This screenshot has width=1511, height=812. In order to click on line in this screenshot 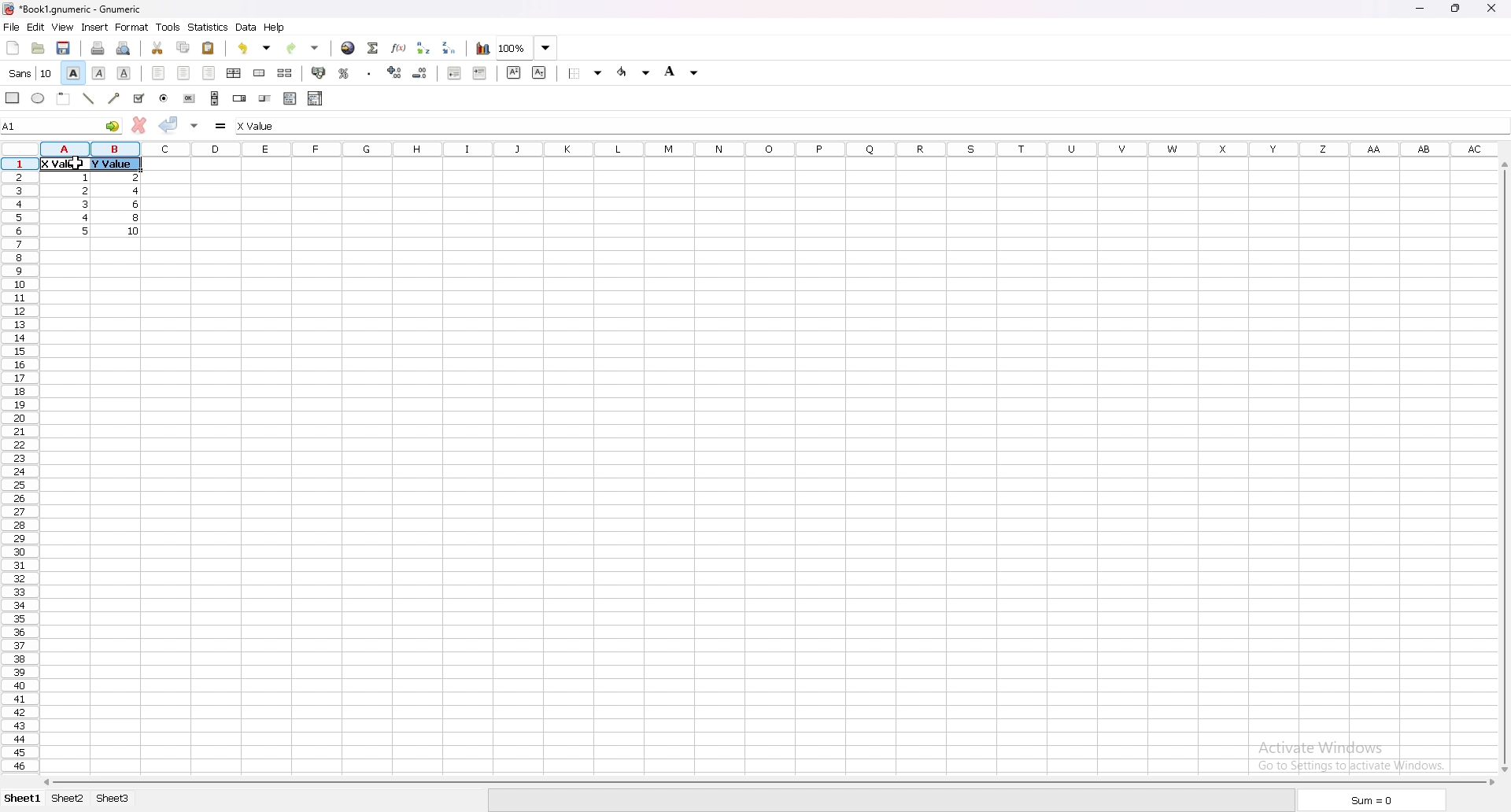, I will do `click(88, 98)`.